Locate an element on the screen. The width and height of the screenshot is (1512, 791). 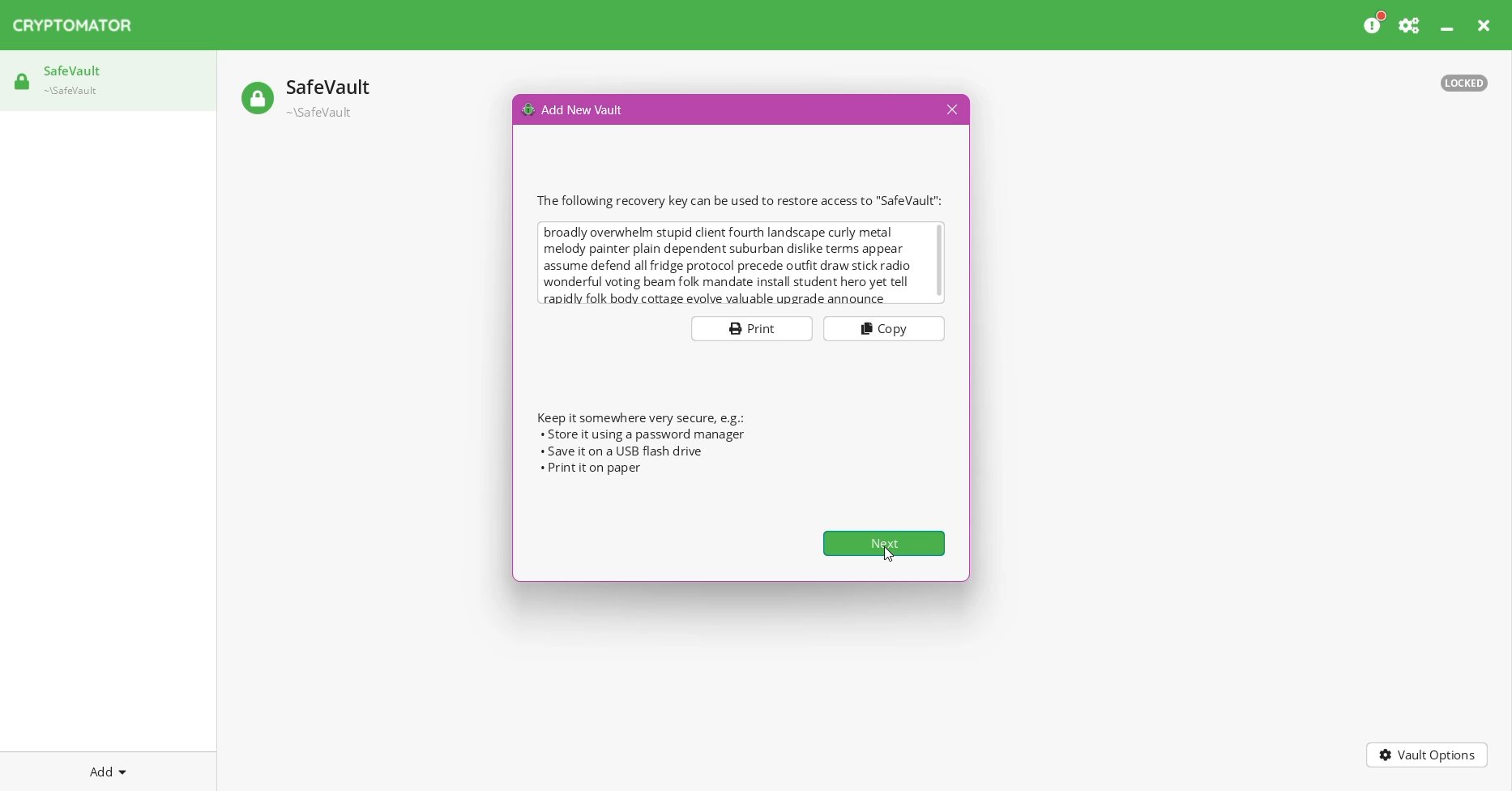
Minimize is located at coordinates (1449, 25).